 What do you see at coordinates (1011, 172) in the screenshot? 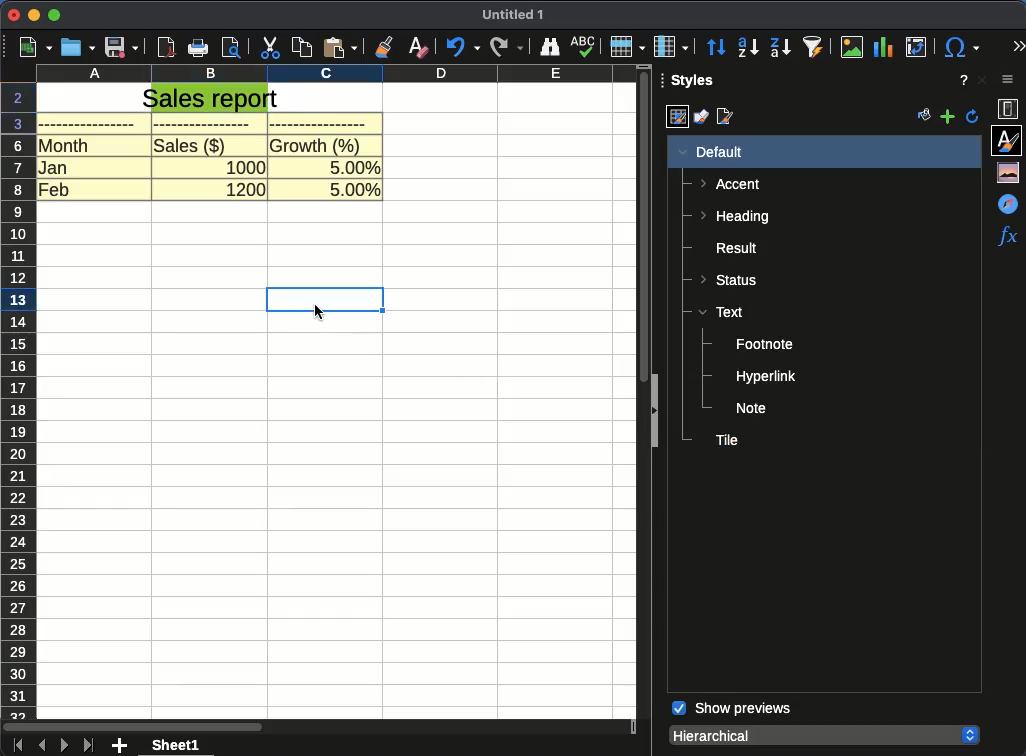
I see `gallery` at bounding box center [1011, 172].